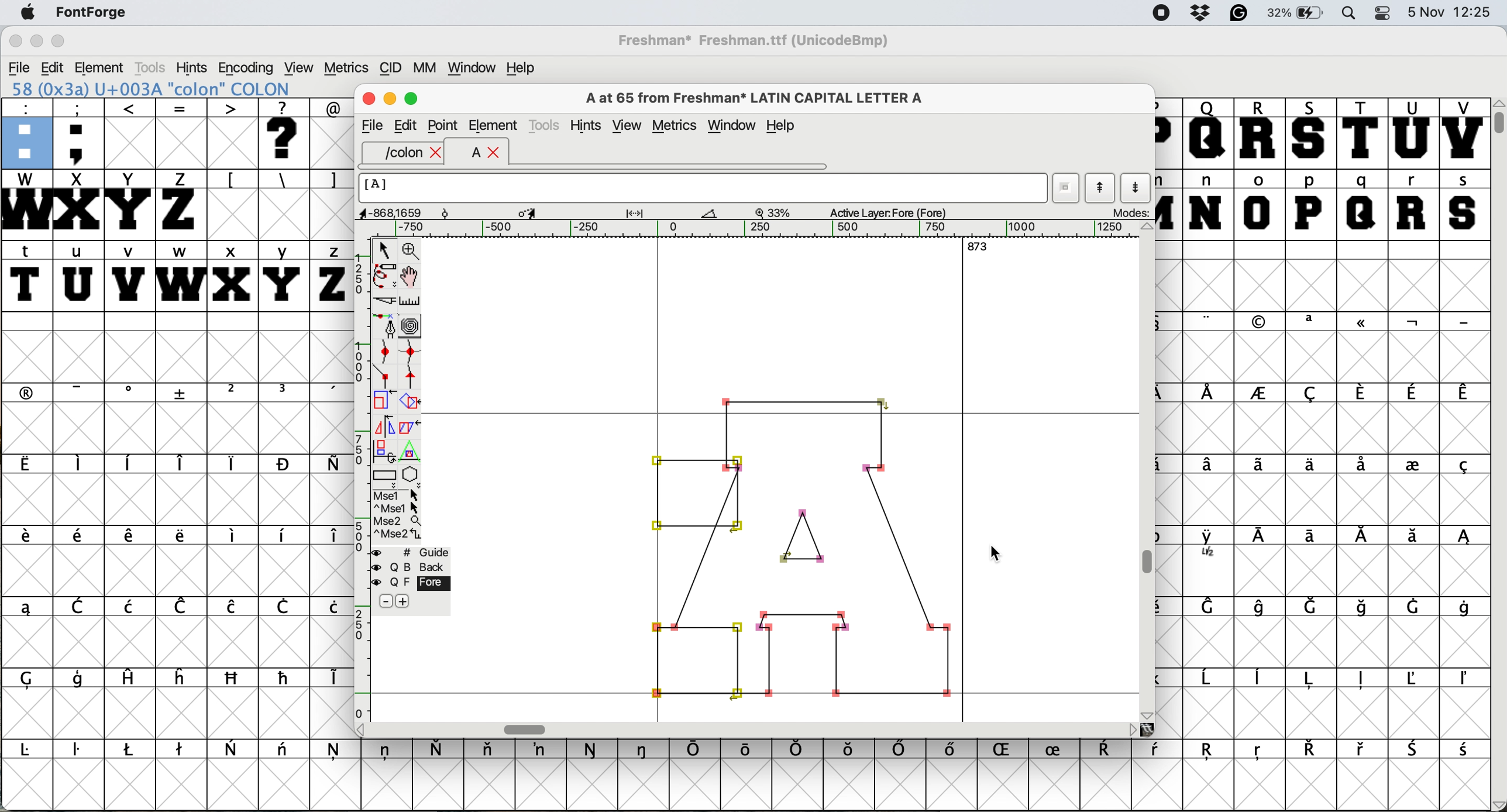  I want to click on Z, so click(181, 204).